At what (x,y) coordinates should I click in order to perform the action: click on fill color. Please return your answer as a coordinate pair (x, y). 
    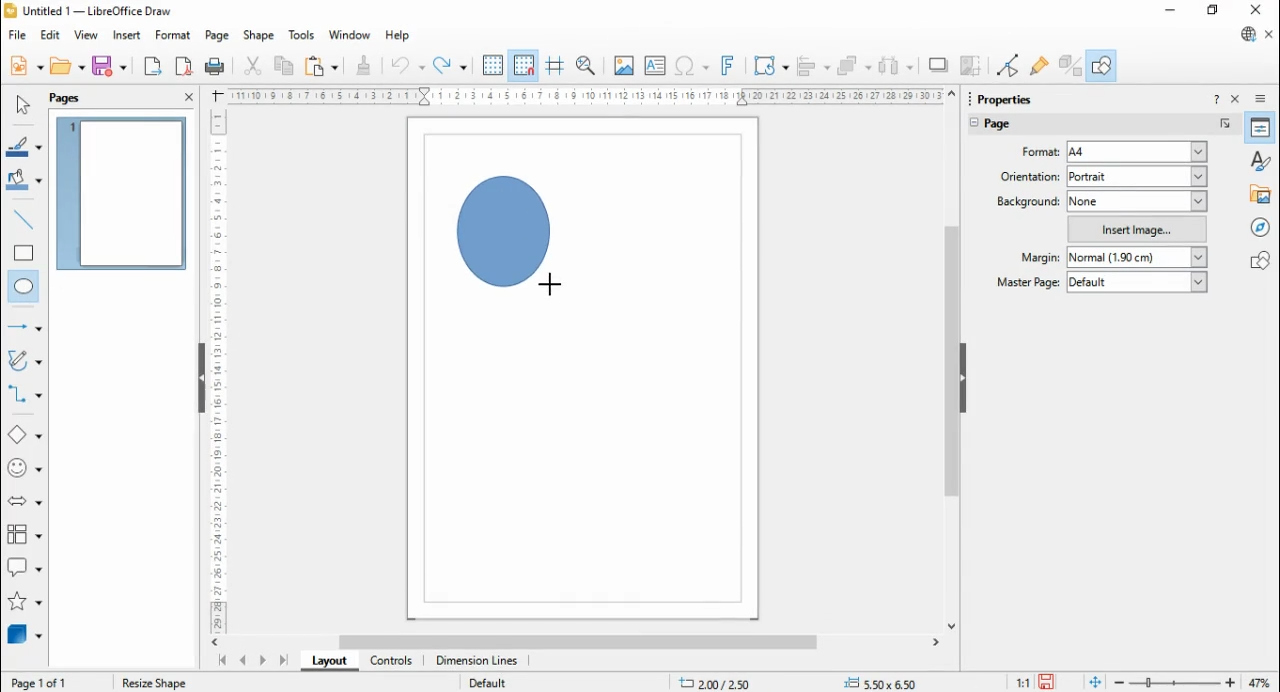
    Looking at the image, I should click on (25, 181).